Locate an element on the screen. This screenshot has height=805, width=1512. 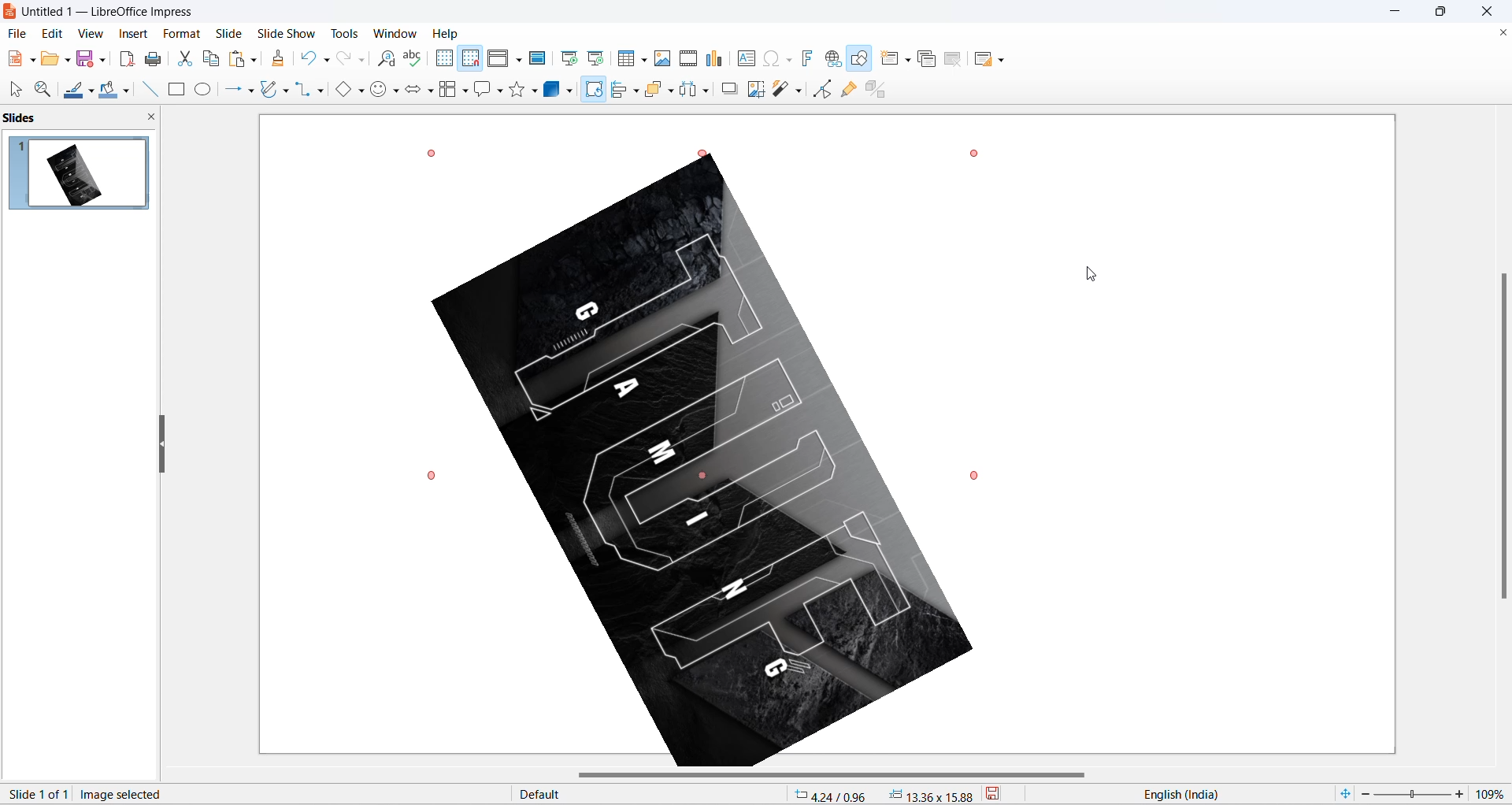
new file is located at coordinates (15, 59).